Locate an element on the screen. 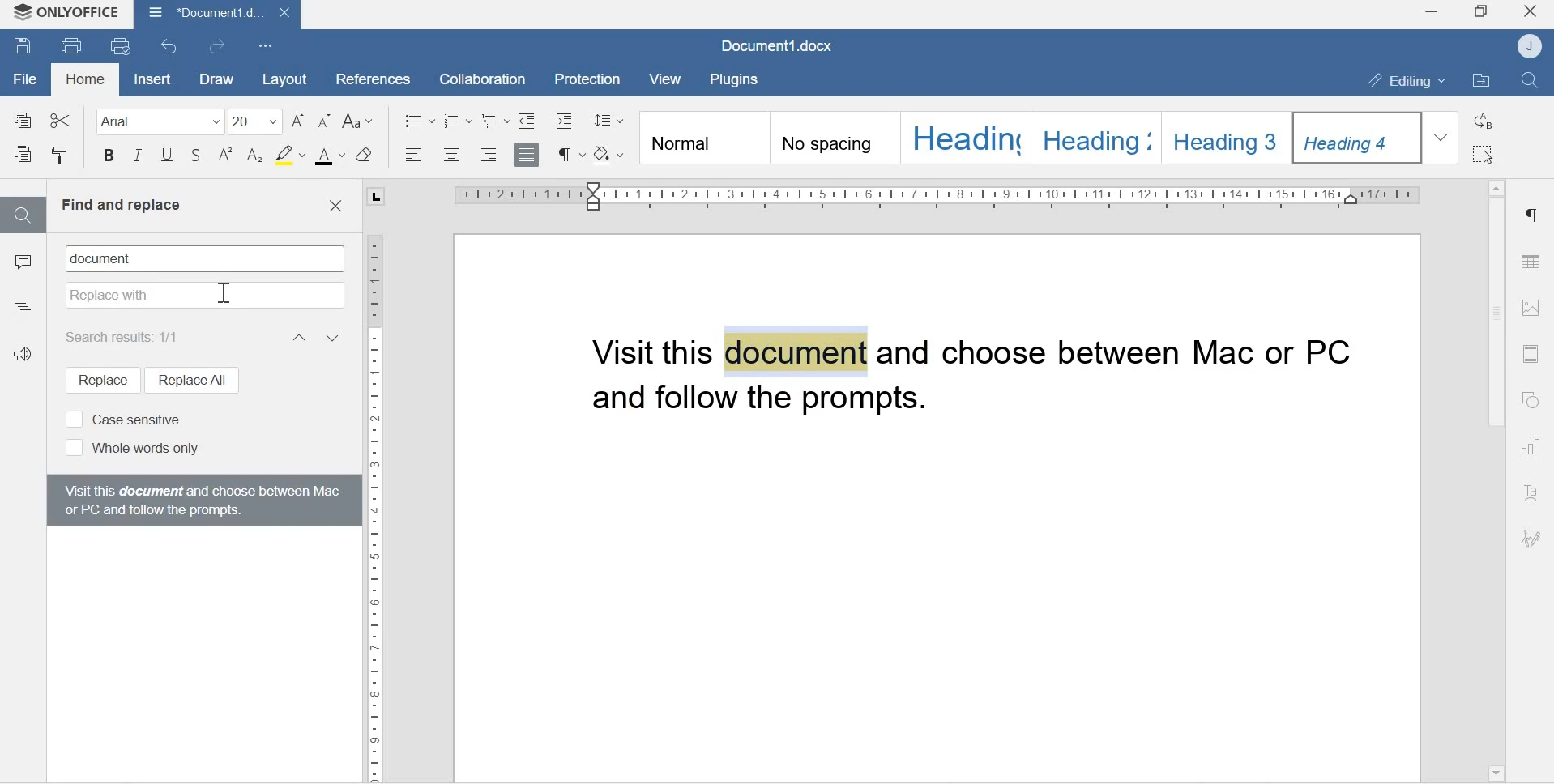 The image size is (1554, 784). Justified is located at coordinates (527, 153).